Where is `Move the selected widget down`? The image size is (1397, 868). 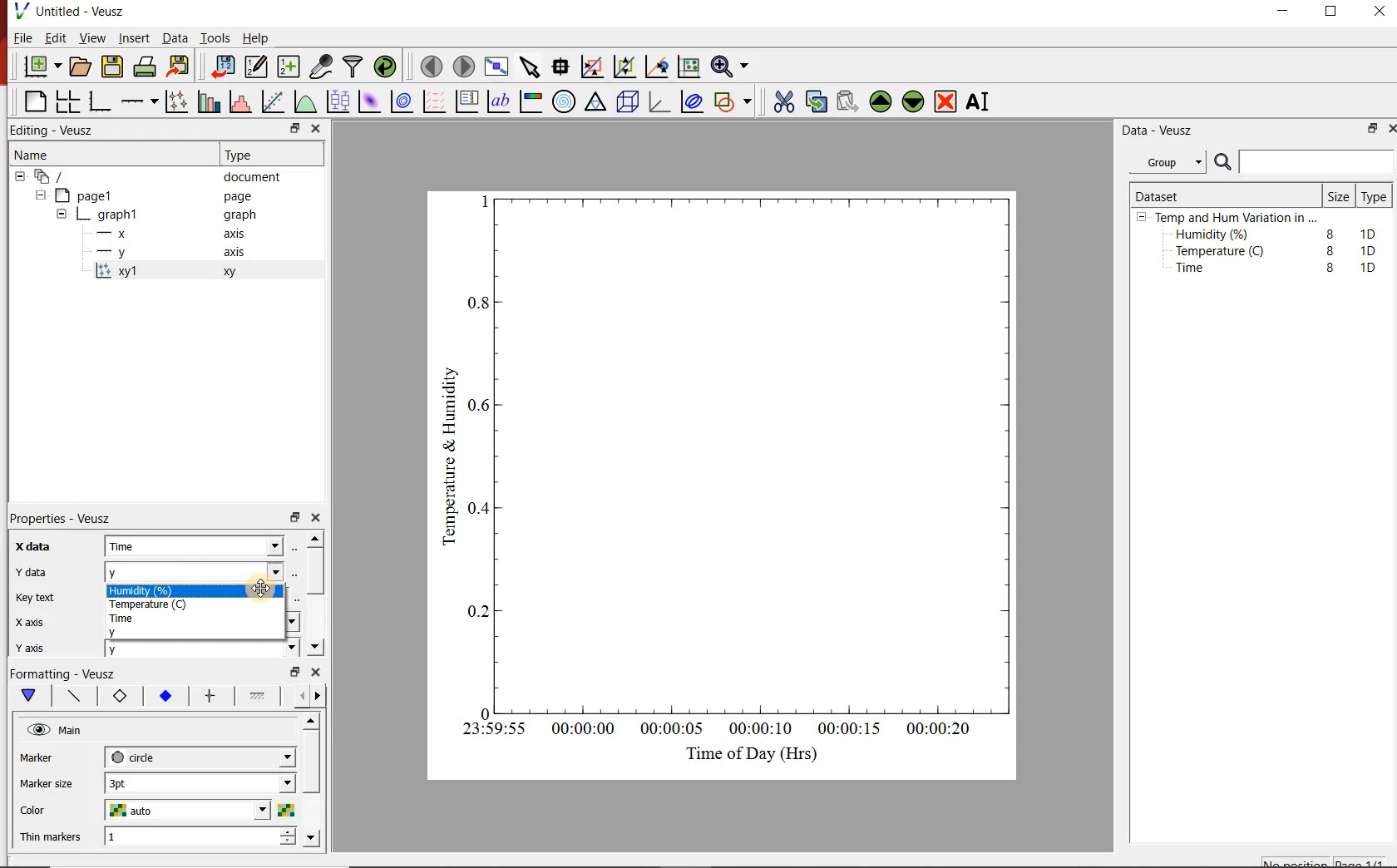
Move the selected widget down is located at coordinates (916, 101).